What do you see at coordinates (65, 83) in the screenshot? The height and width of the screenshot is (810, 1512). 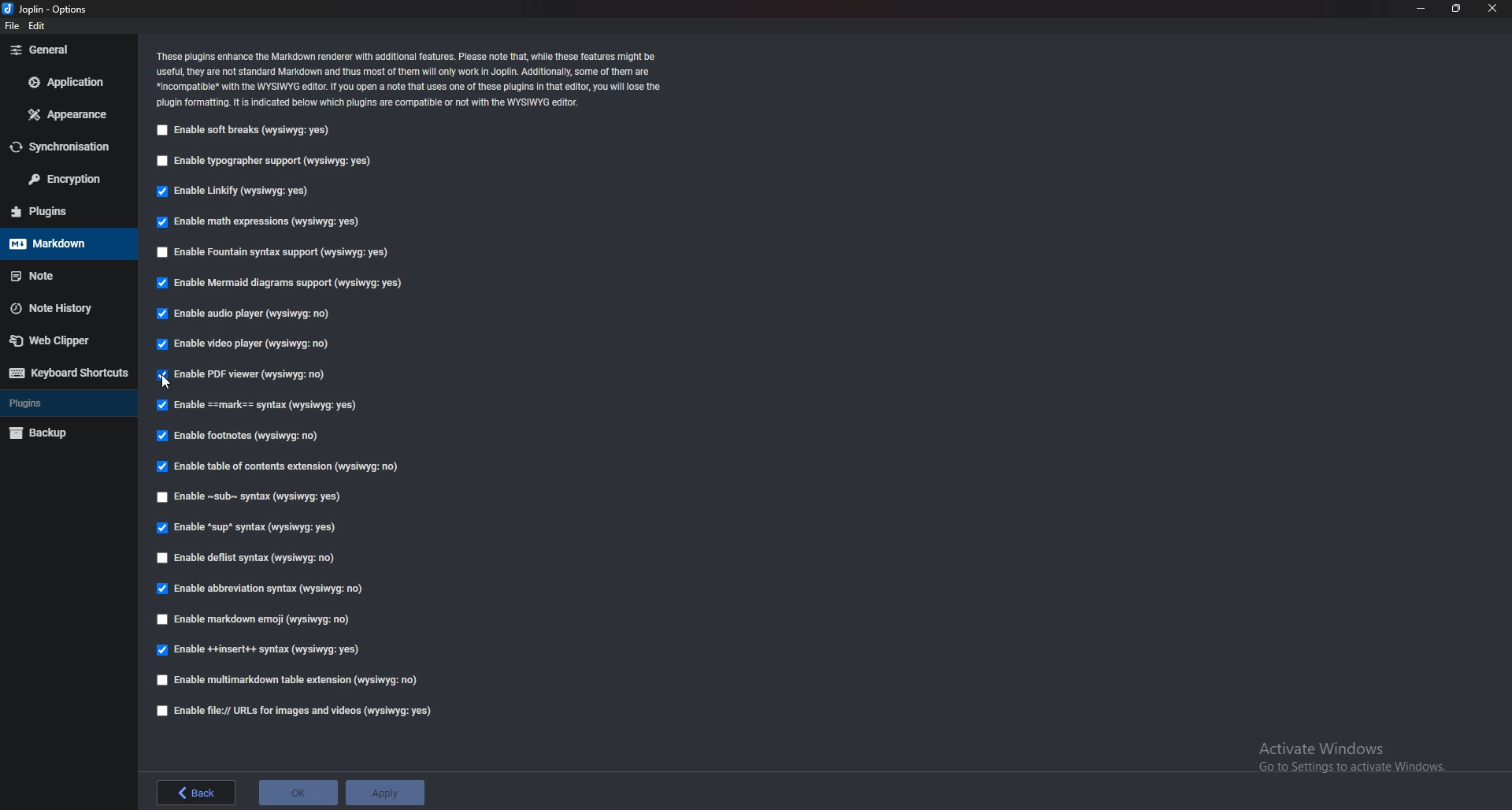 I see `Application` at bounding box center [65, 83].